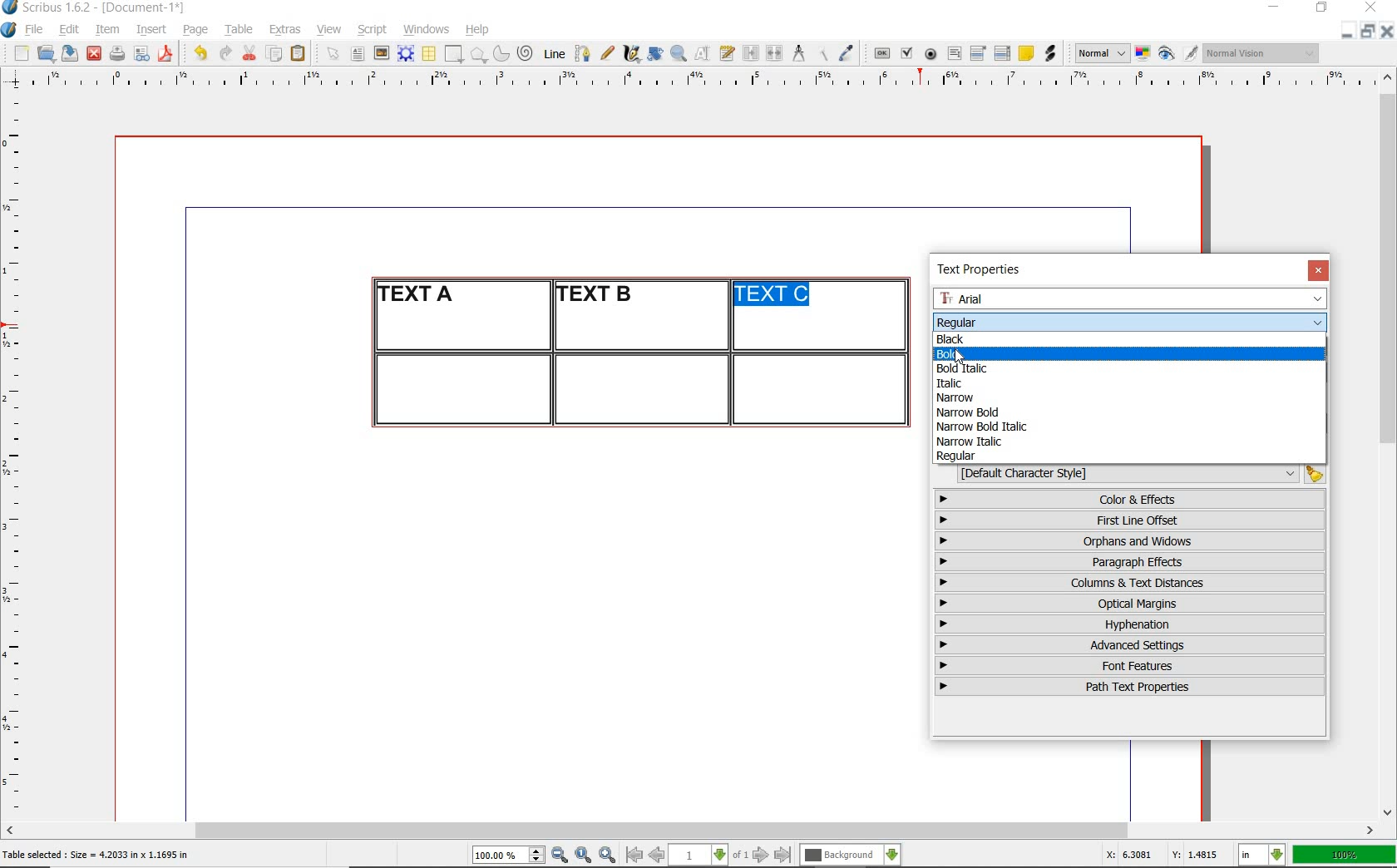 This screenshot has width=1397, height=868. I want to click on text highlighted, so click(774, 295).